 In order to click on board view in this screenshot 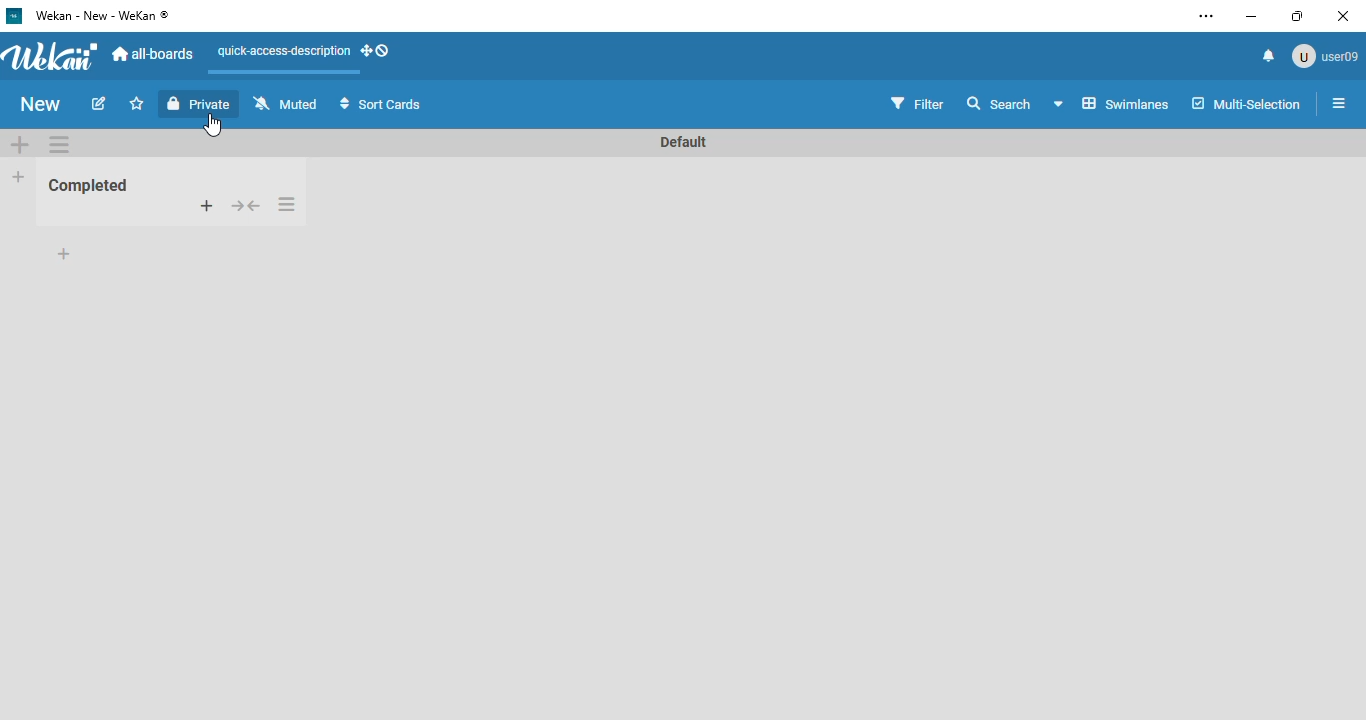, I will do `click(1112, 104)`.